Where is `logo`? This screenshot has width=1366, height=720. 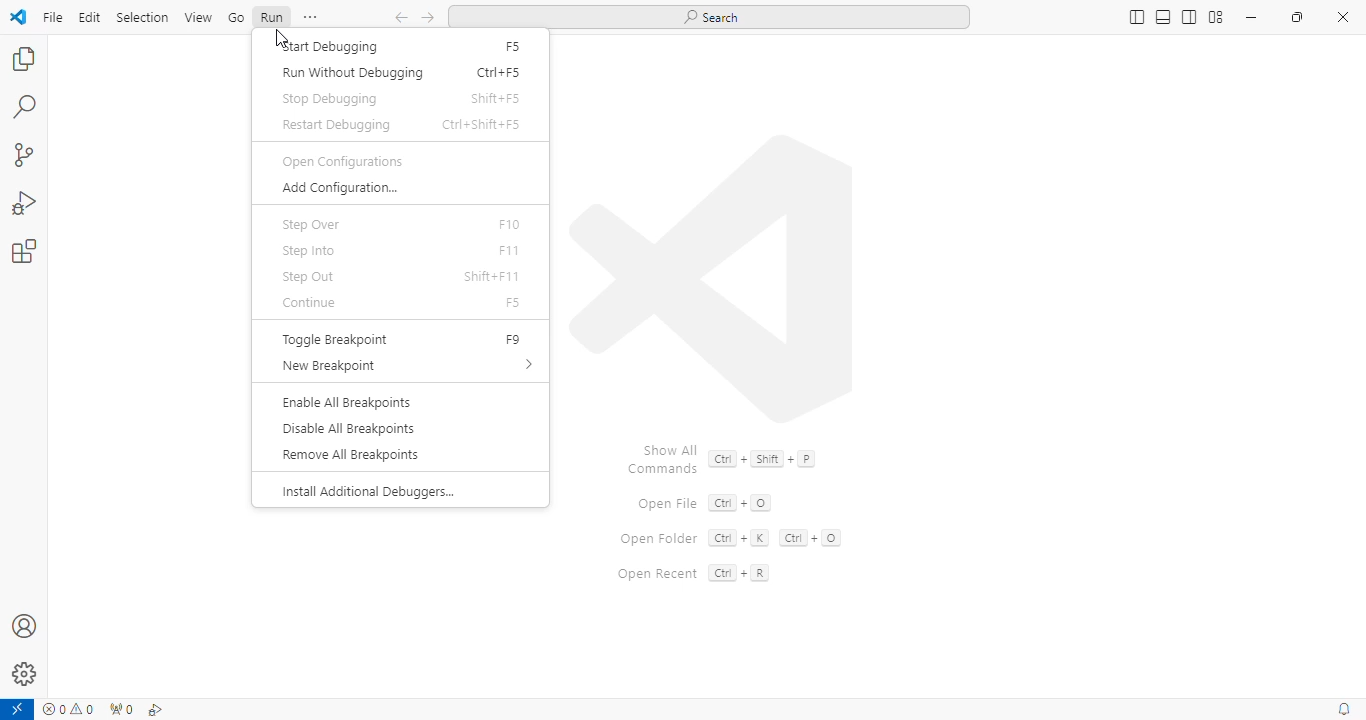 logo is located at coordinates (19, 17).